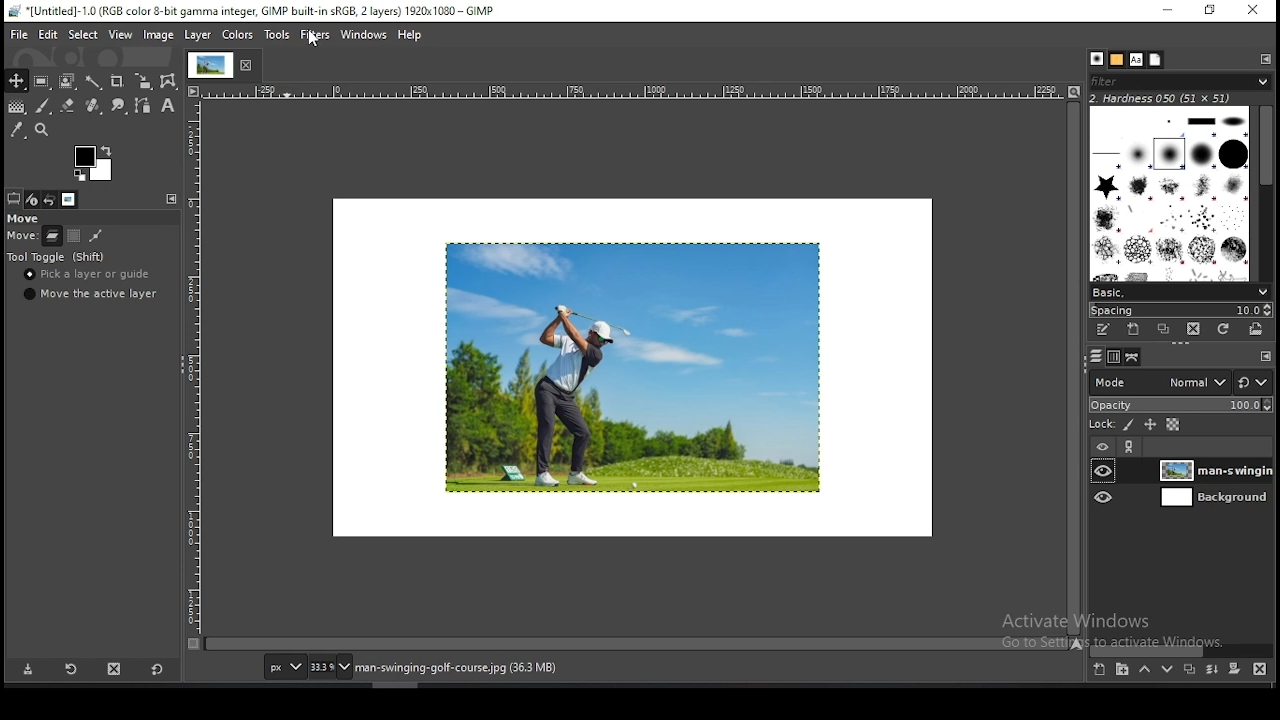 The width and height of the screenshot is (1280, 720). What do you see at coordinates (259, 11) in the screenshot?
I see `*[Untitled]-1.0 (RGB color 8-bit gamma integer, GIMP built-in sRGB, 2 layers) 1920x1080 - GIMP` at bounding box center [259, 11].